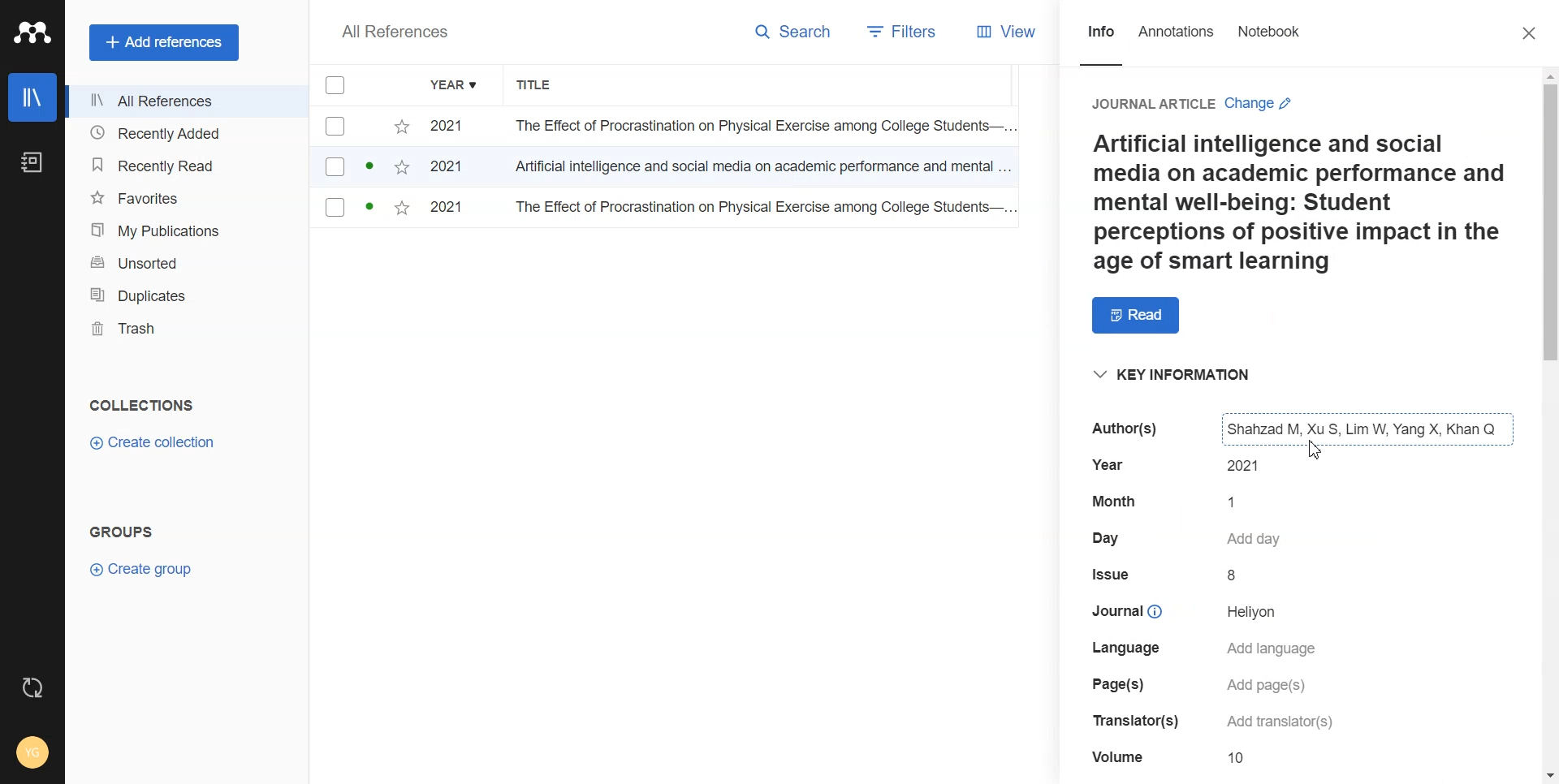 The height and width of the screenshot is (784, 1559). I want to click on Duplicates, so click(186, 295).